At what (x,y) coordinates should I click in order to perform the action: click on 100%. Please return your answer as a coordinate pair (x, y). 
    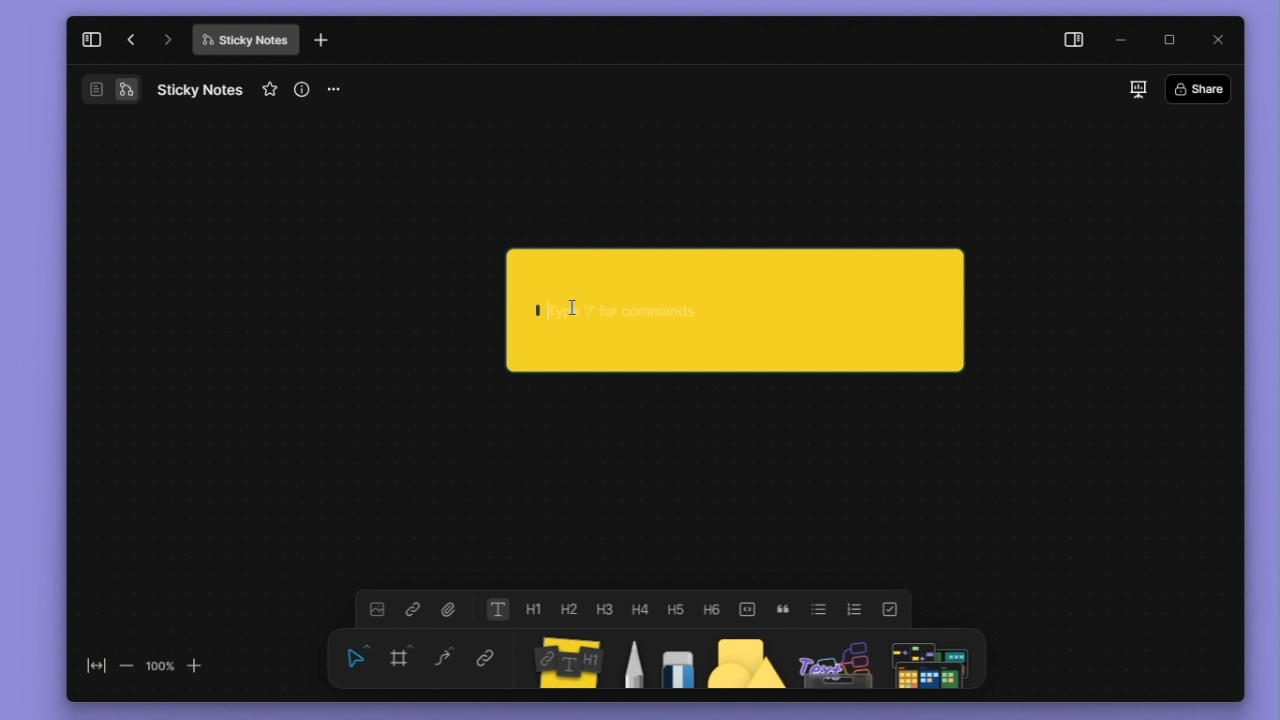
    Looking at the image, I should click on (161, 662).